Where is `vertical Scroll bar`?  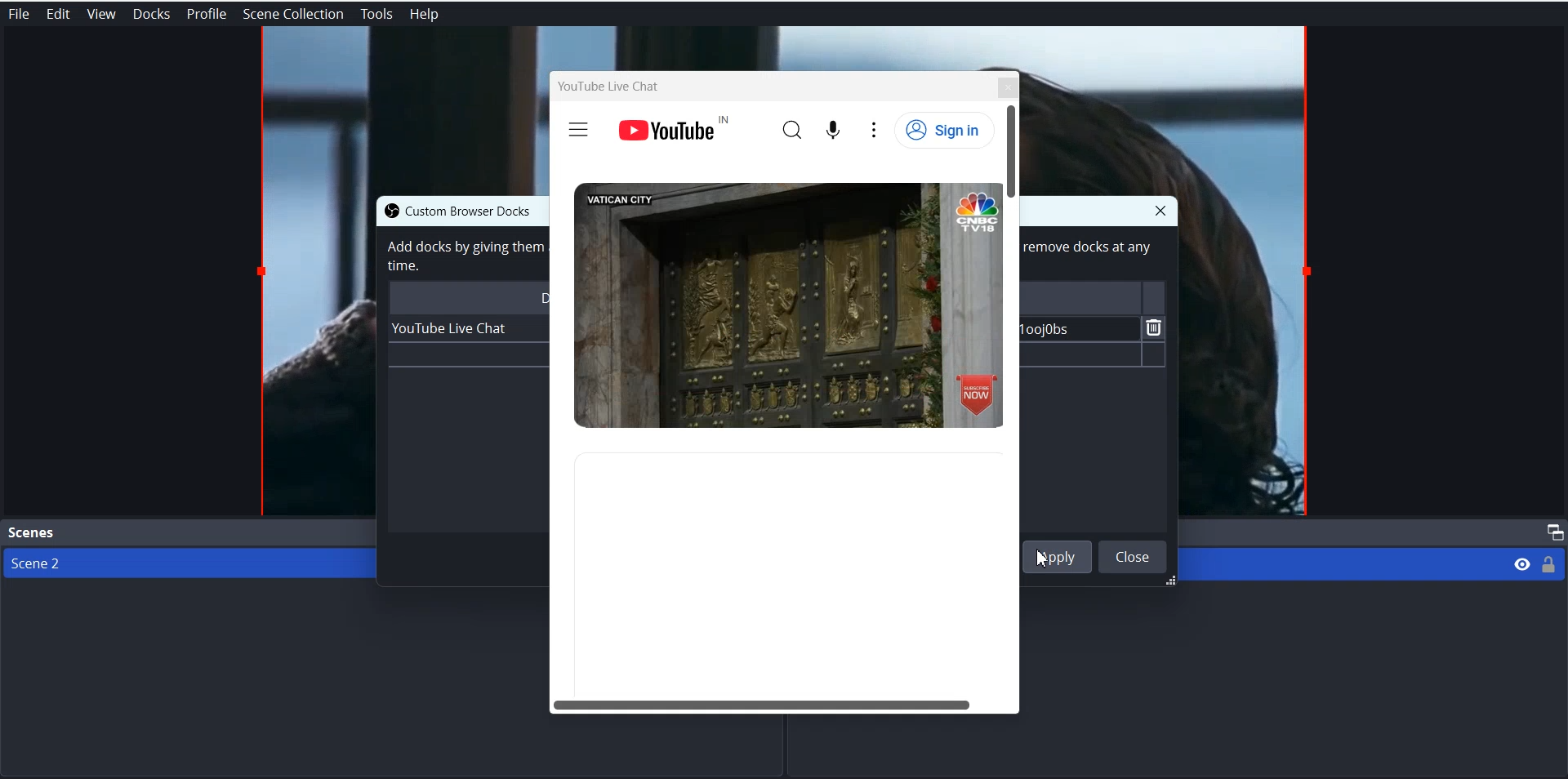
vertical Scroll bar is located at coordinates (1016, 394).